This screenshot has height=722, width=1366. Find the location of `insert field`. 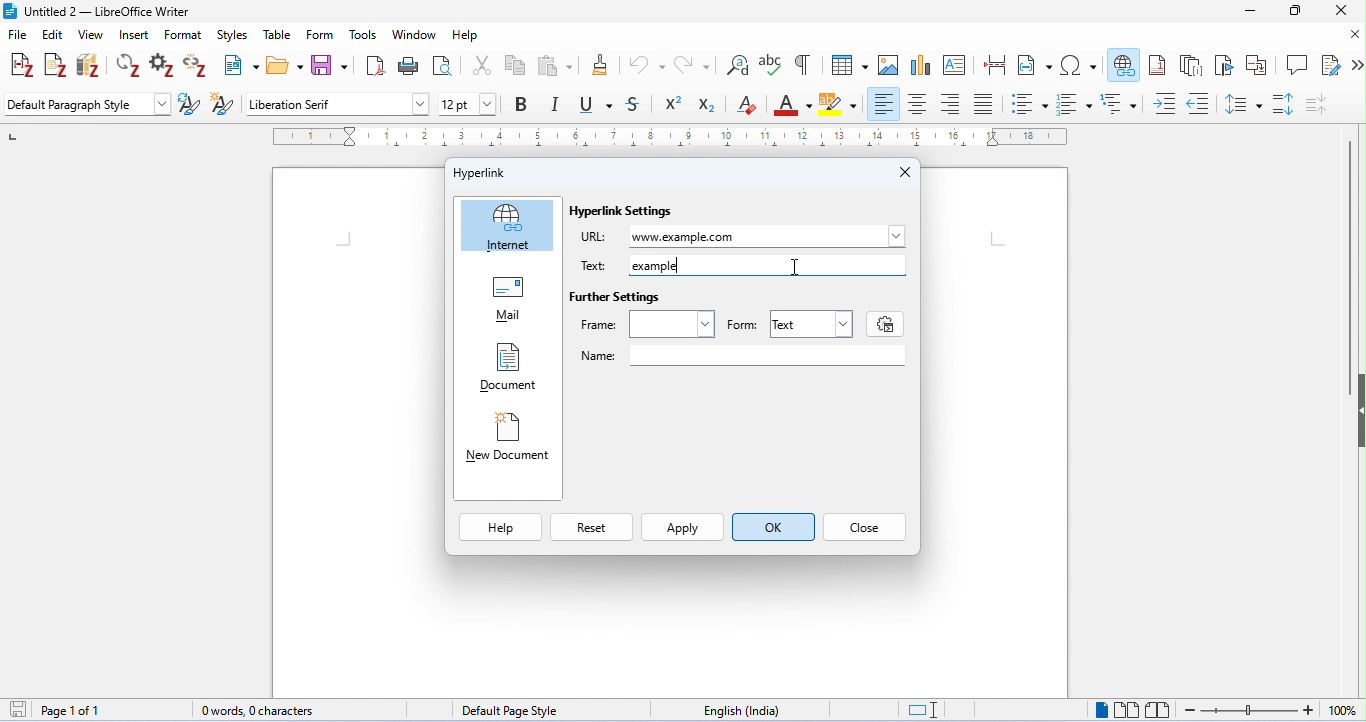

insert field is located at coordinates (1036, 64).